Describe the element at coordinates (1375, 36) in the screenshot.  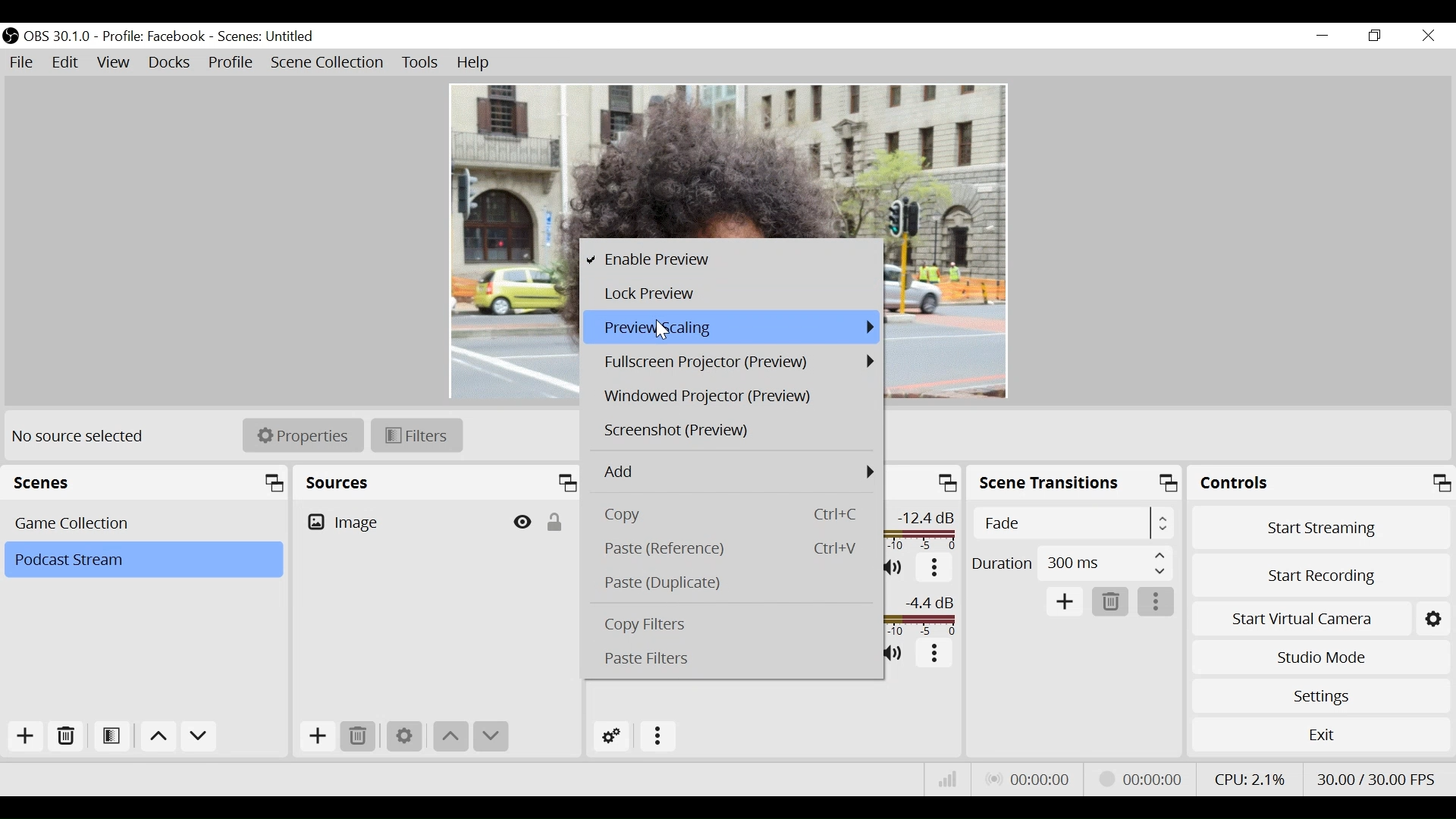
I see `Restore` at that location.